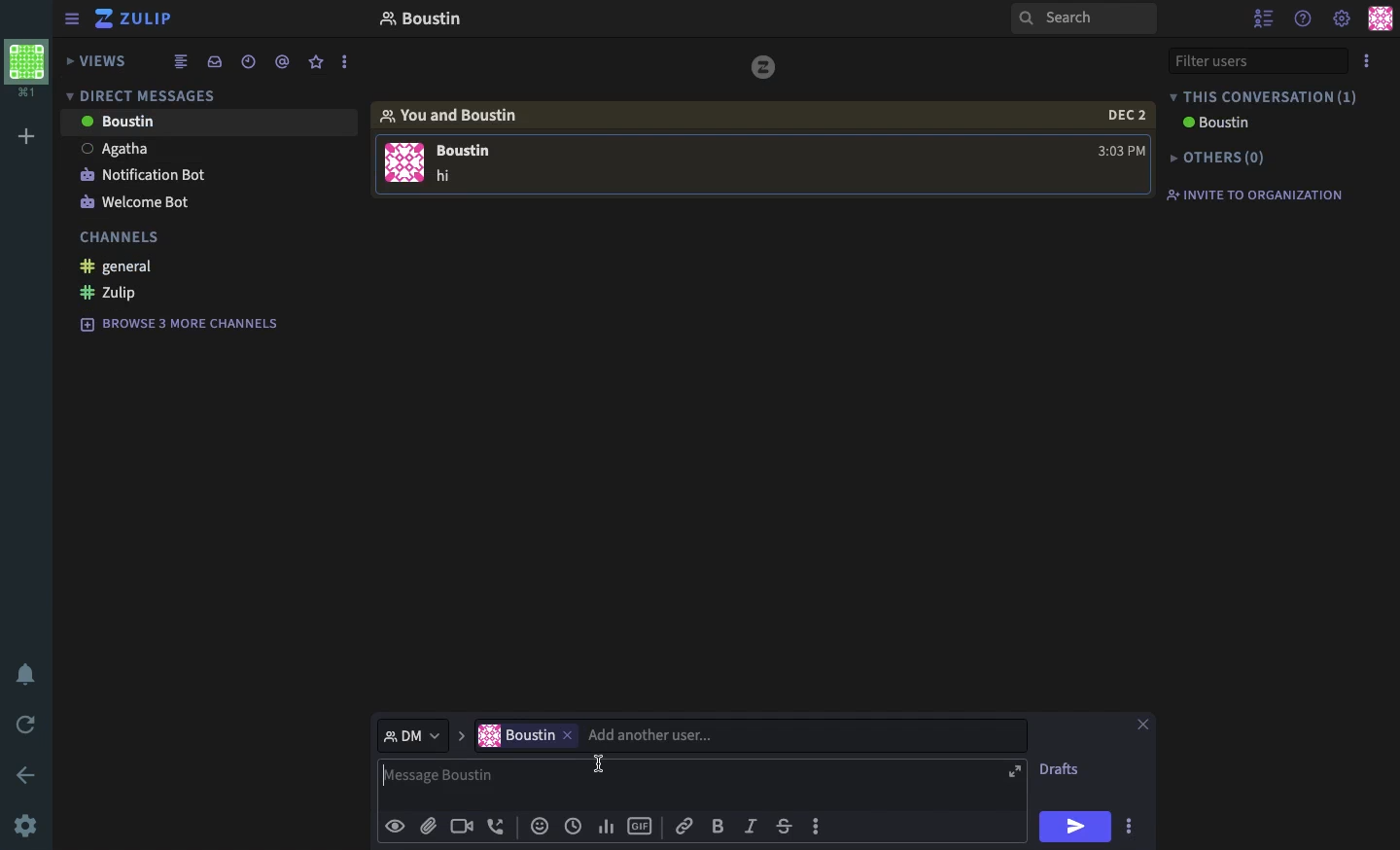 This screenshot has width=1400, height=850. I want to click on others, so click(1226, 155).